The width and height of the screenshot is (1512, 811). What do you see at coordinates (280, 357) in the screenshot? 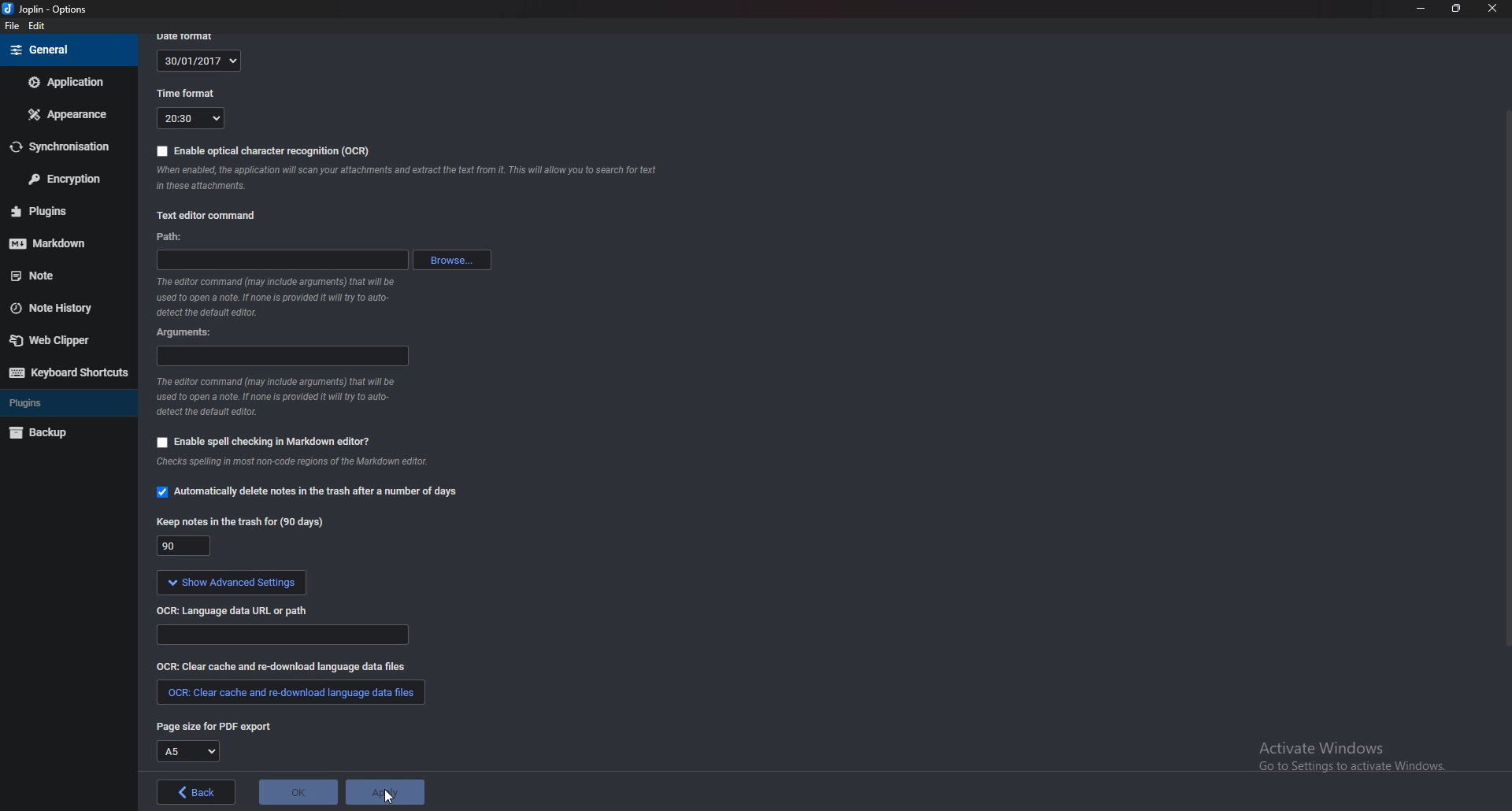
I see `arguments` at bounding box center [280, 357].